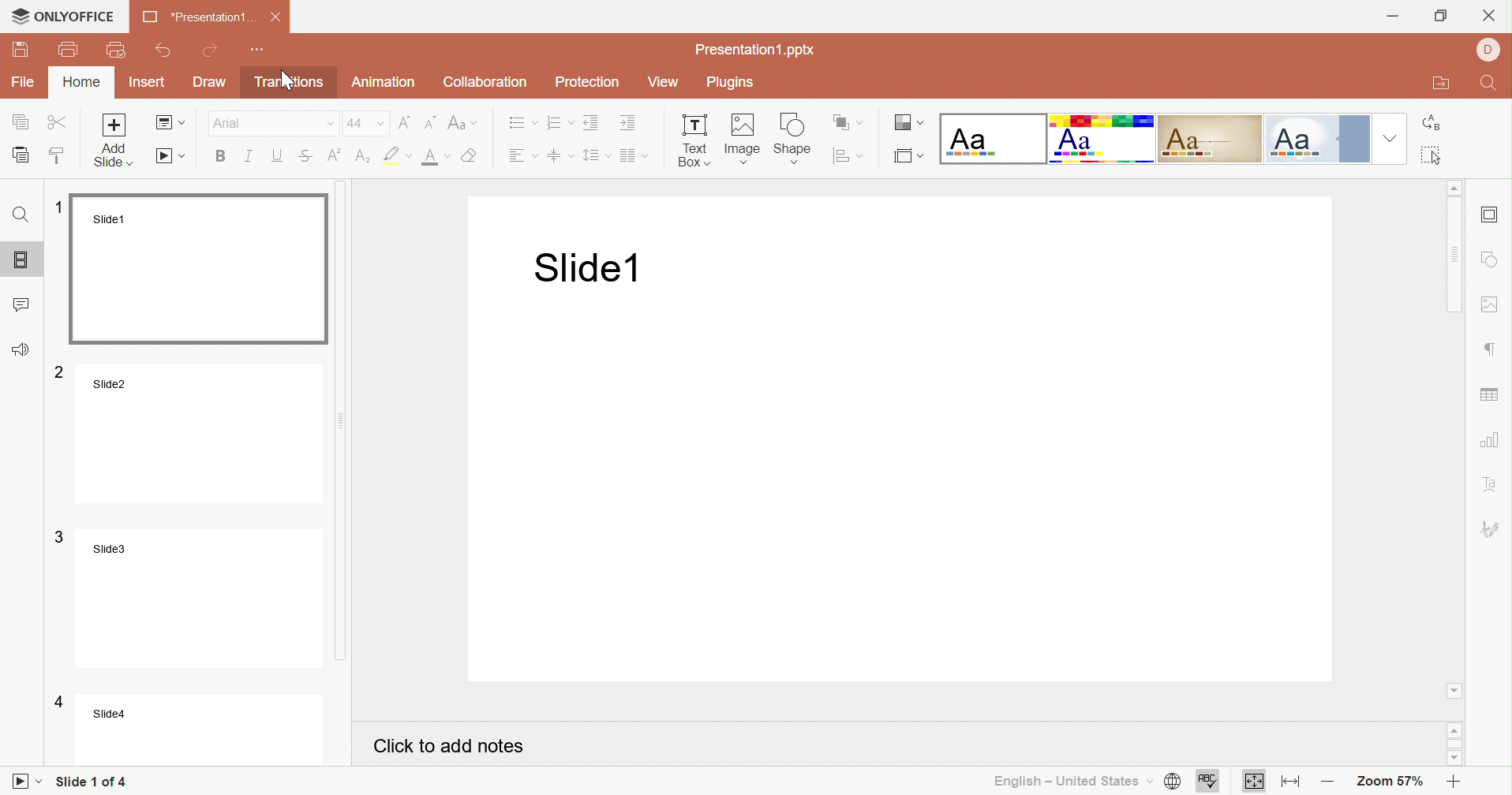  Describe the element at coordinates (792, 139) in the screenshot. I see `Insert Shape` at that location.